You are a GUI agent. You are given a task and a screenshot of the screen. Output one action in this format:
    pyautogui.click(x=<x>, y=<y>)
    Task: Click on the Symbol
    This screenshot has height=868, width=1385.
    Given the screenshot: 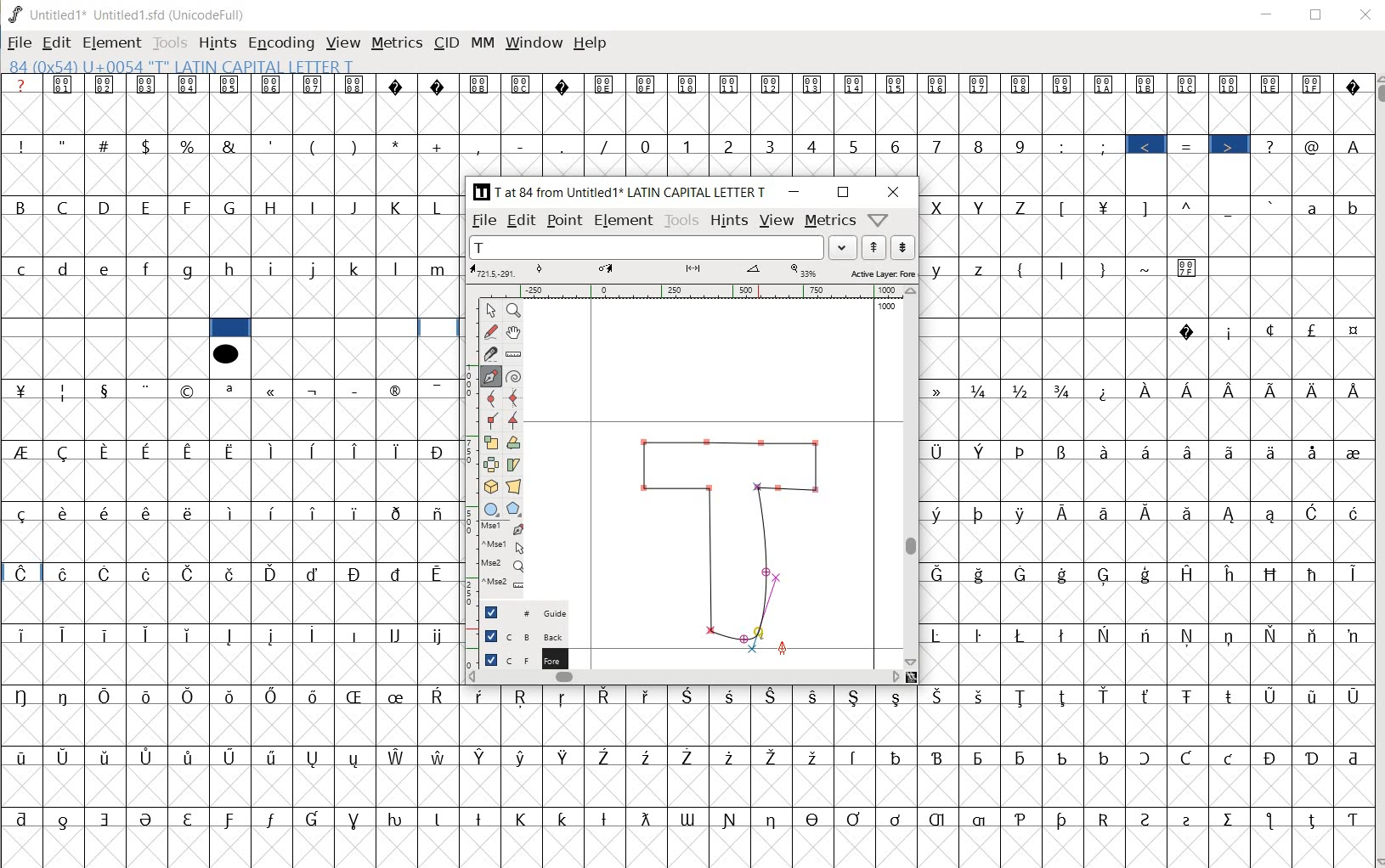 What is the action you would take?
    pyautogui.click(x=605, y=755)
    